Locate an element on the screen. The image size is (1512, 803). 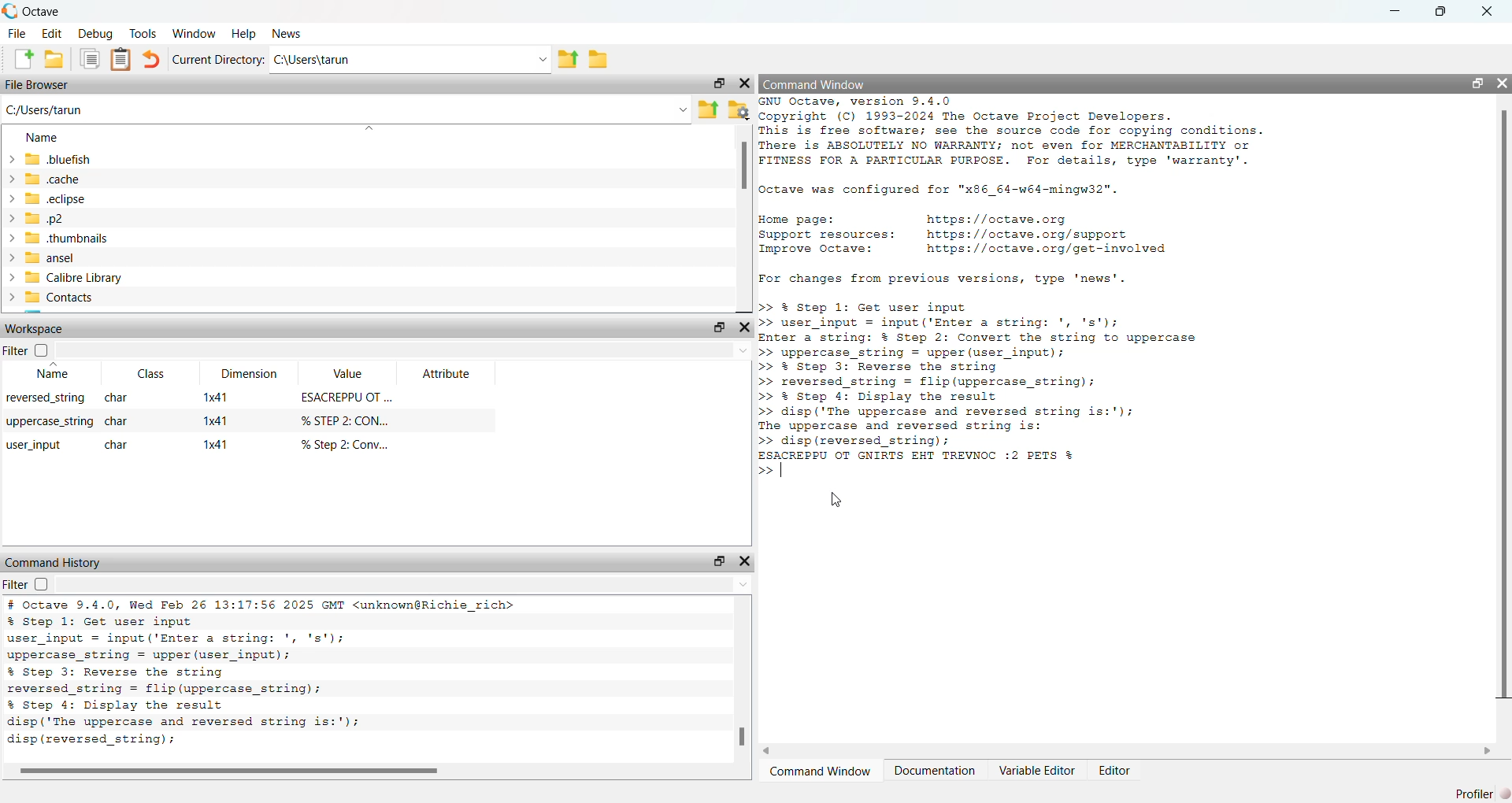
enter the path or filename is located at coordinates (345, 109).